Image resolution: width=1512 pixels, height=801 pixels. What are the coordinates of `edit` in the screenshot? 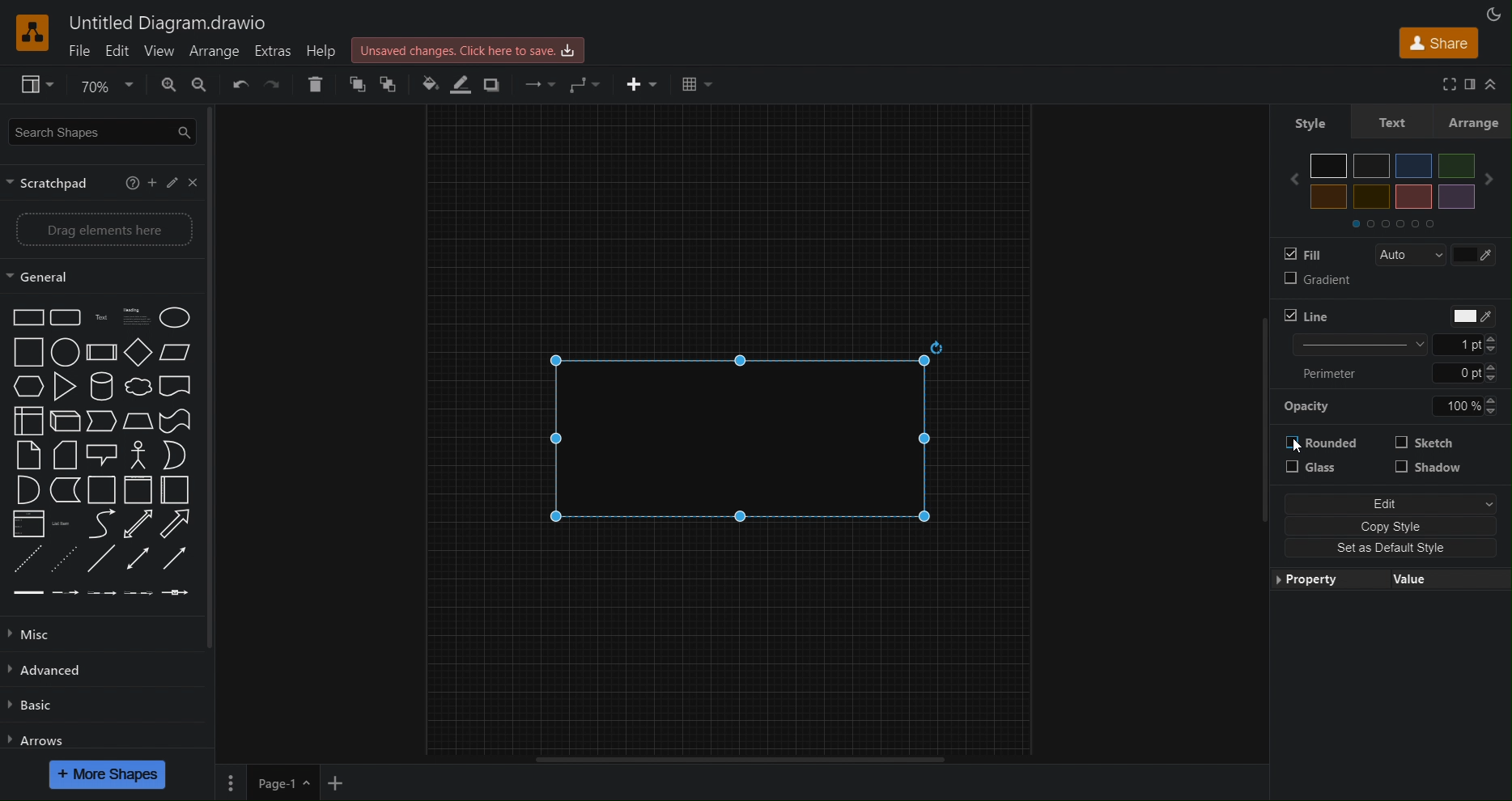 It's located at (175, 184).